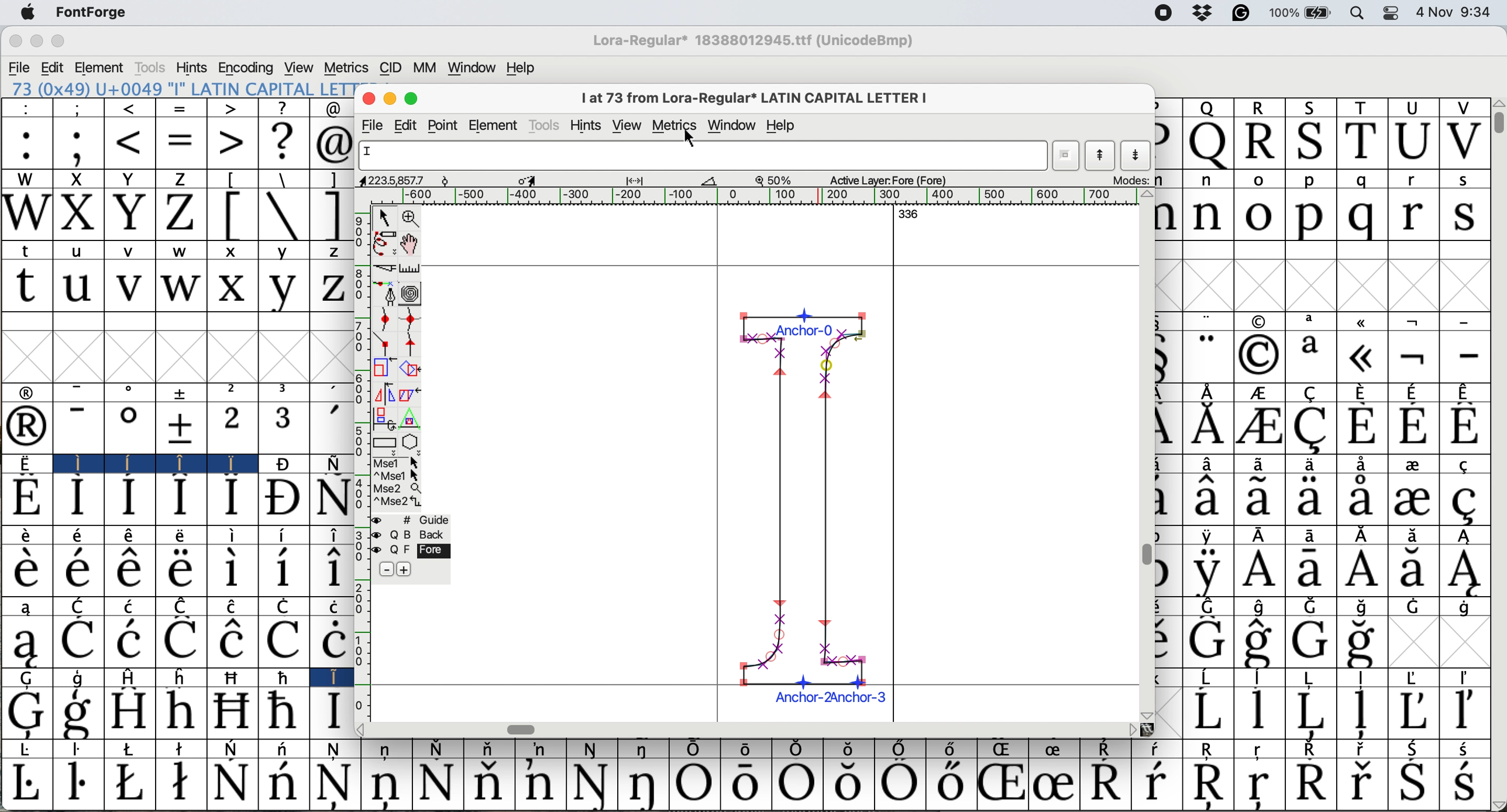  Describe the element at coordinates (1260, 428) in the screenshot. I see `Symbol` at that location.